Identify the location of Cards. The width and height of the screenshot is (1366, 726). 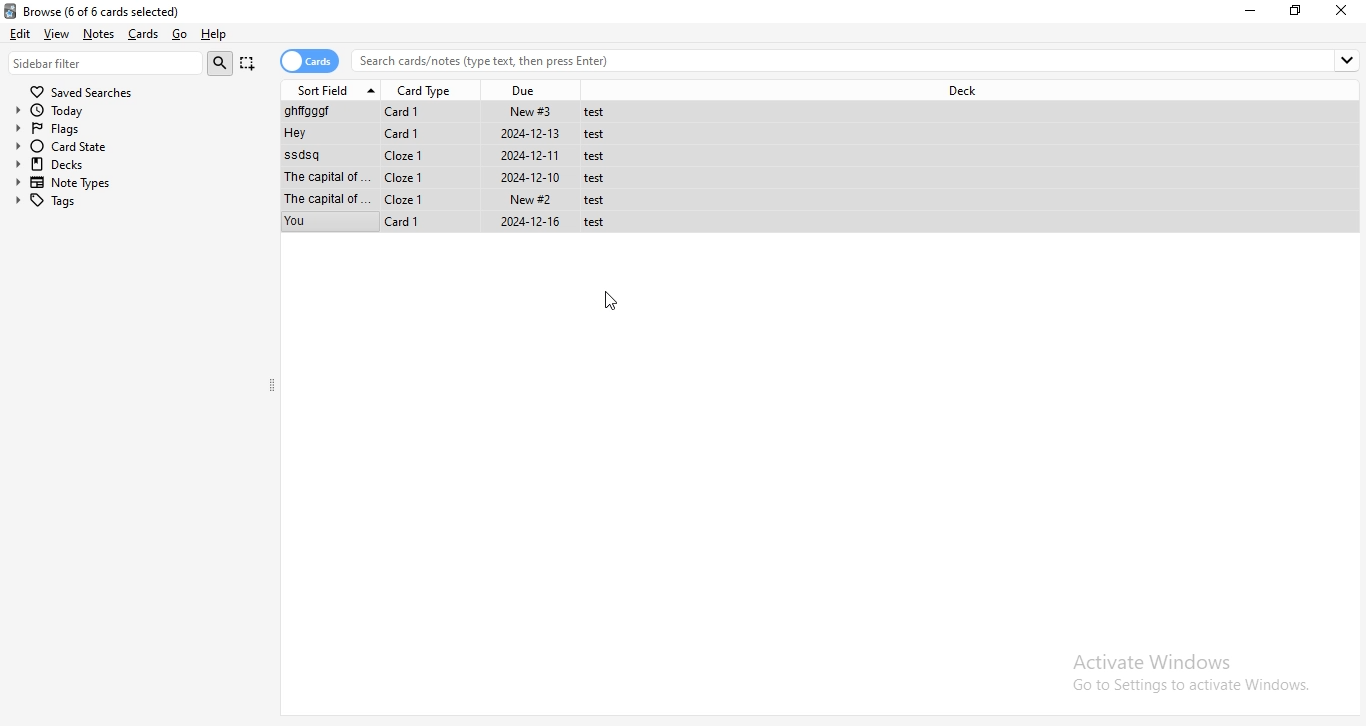
(146, 34).